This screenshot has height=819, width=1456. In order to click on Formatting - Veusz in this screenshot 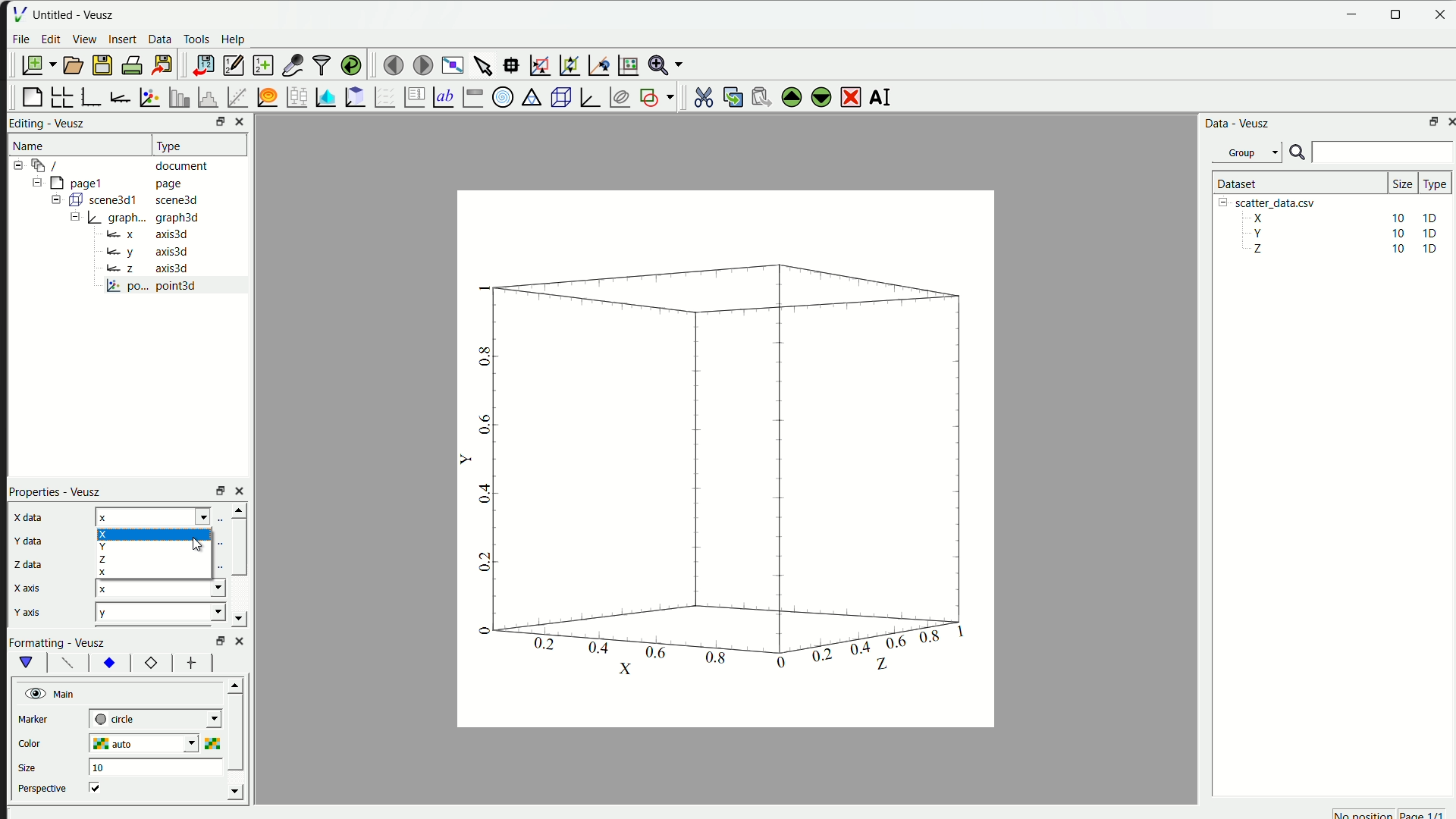, I will do `click(64, 642)`.